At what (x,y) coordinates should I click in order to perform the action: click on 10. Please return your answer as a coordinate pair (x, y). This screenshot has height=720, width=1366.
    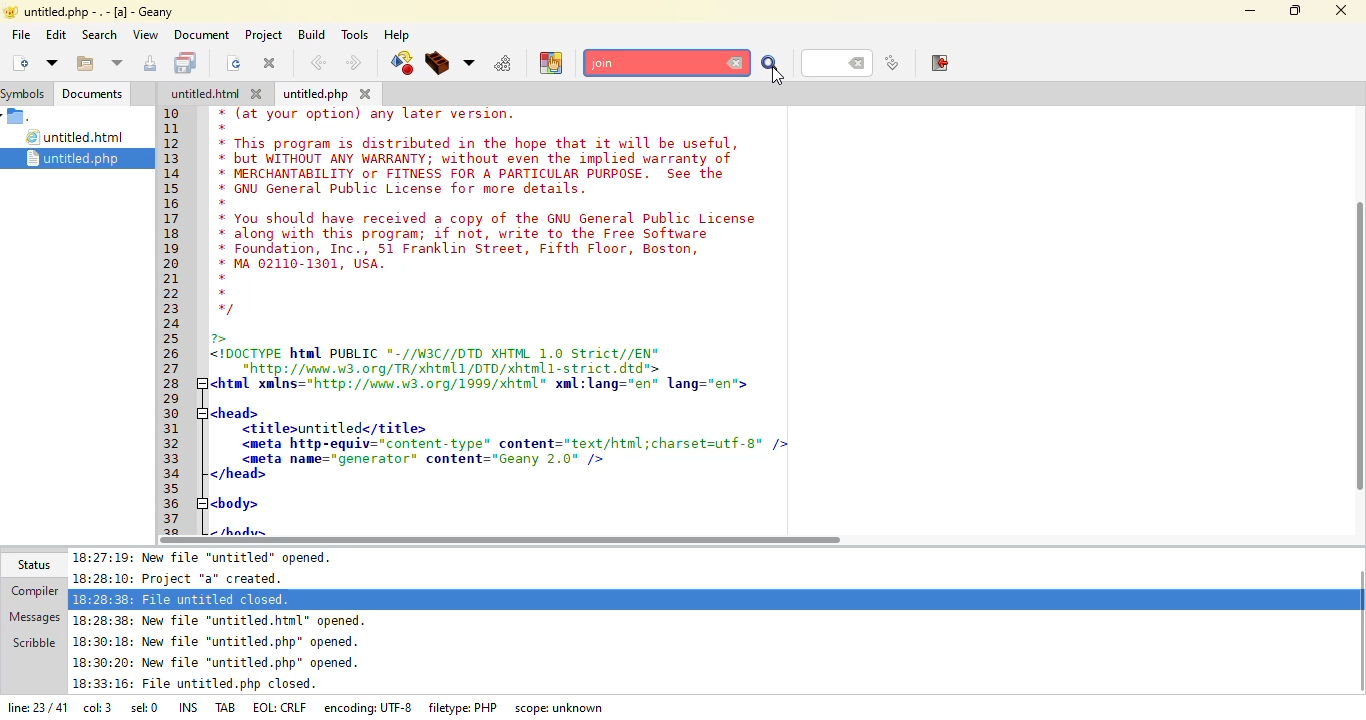
    Looking at the image, I should click on (172, 113).